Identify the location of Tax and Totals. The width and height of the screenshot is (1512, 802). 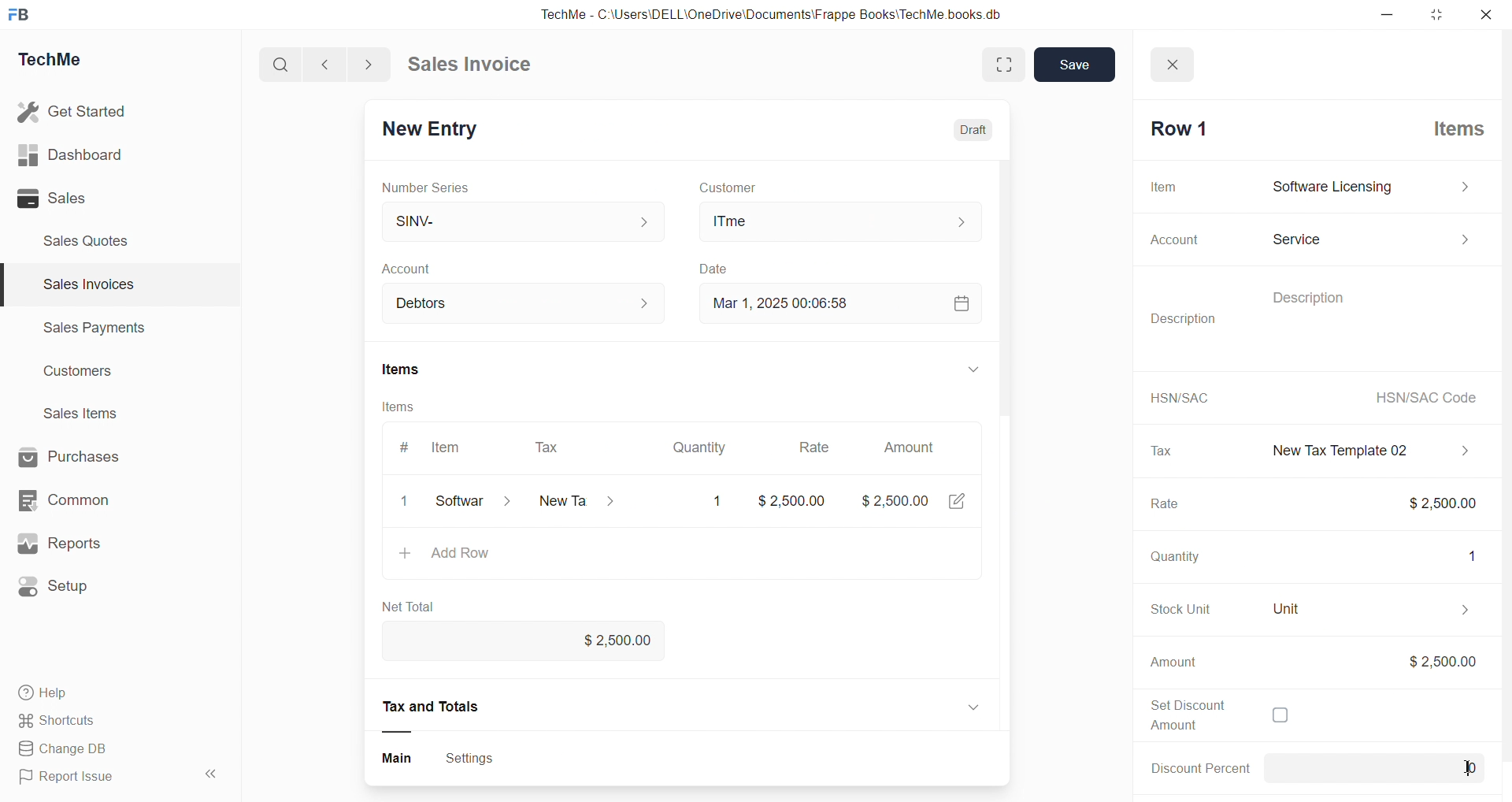
(435, 707).